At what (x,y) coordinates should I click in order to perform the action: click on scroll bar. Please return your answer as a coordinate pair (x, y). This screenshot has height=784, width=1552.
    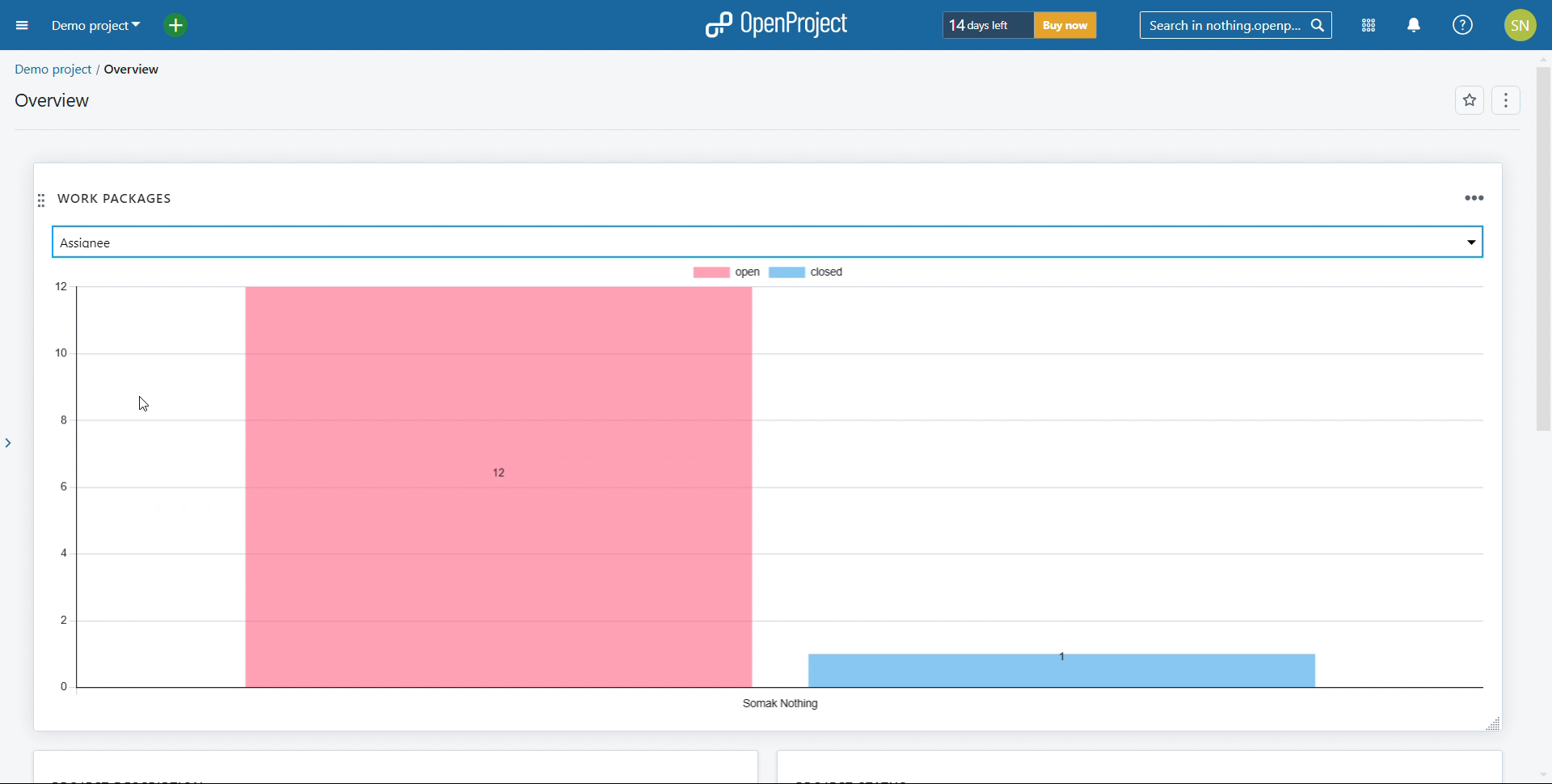
    Looking at the image, I should click on (1542, 234).